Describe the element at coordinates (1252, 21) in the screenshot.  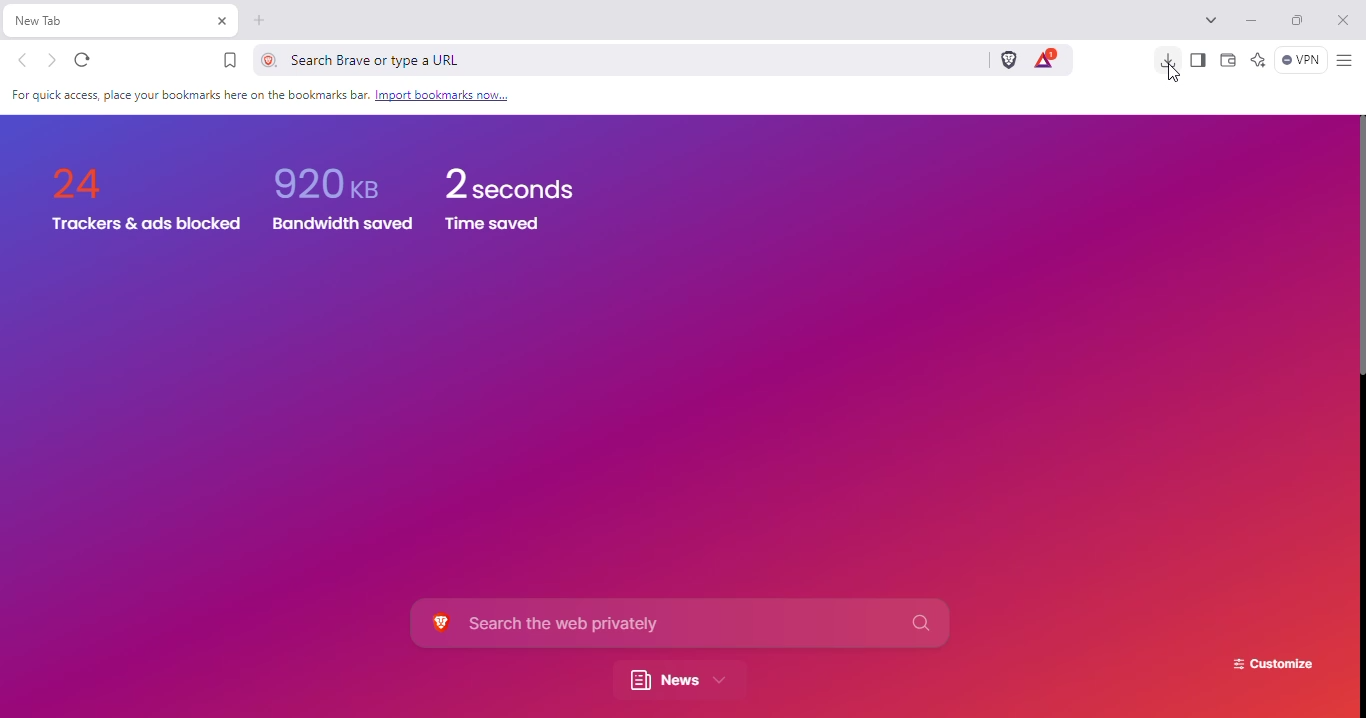
I see `minimize` at that location.